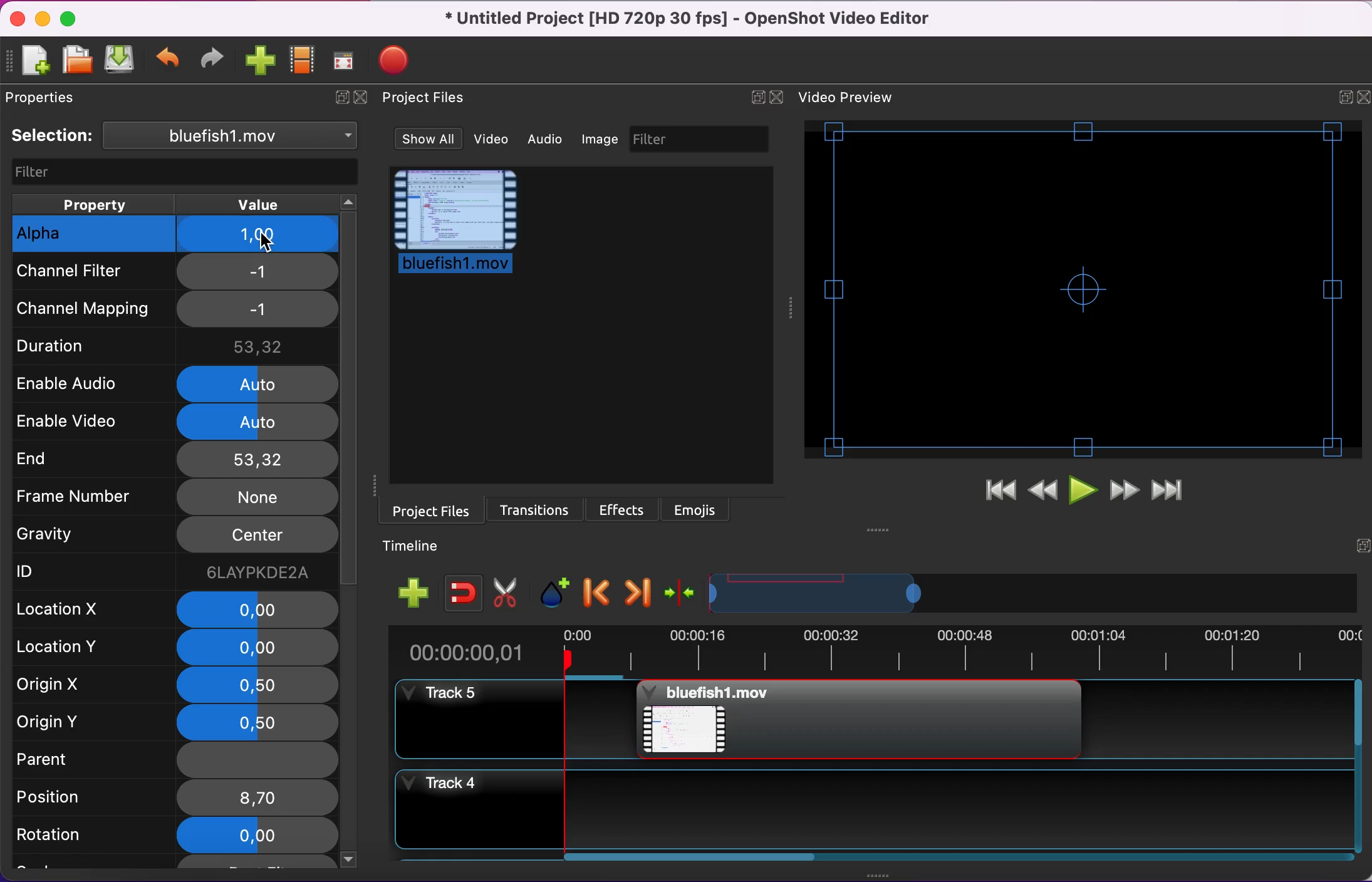 This screenshot has height=882, width=1372. Describe the element at coordinates (259, 60) in the screenshot. I see `import files` at that location.